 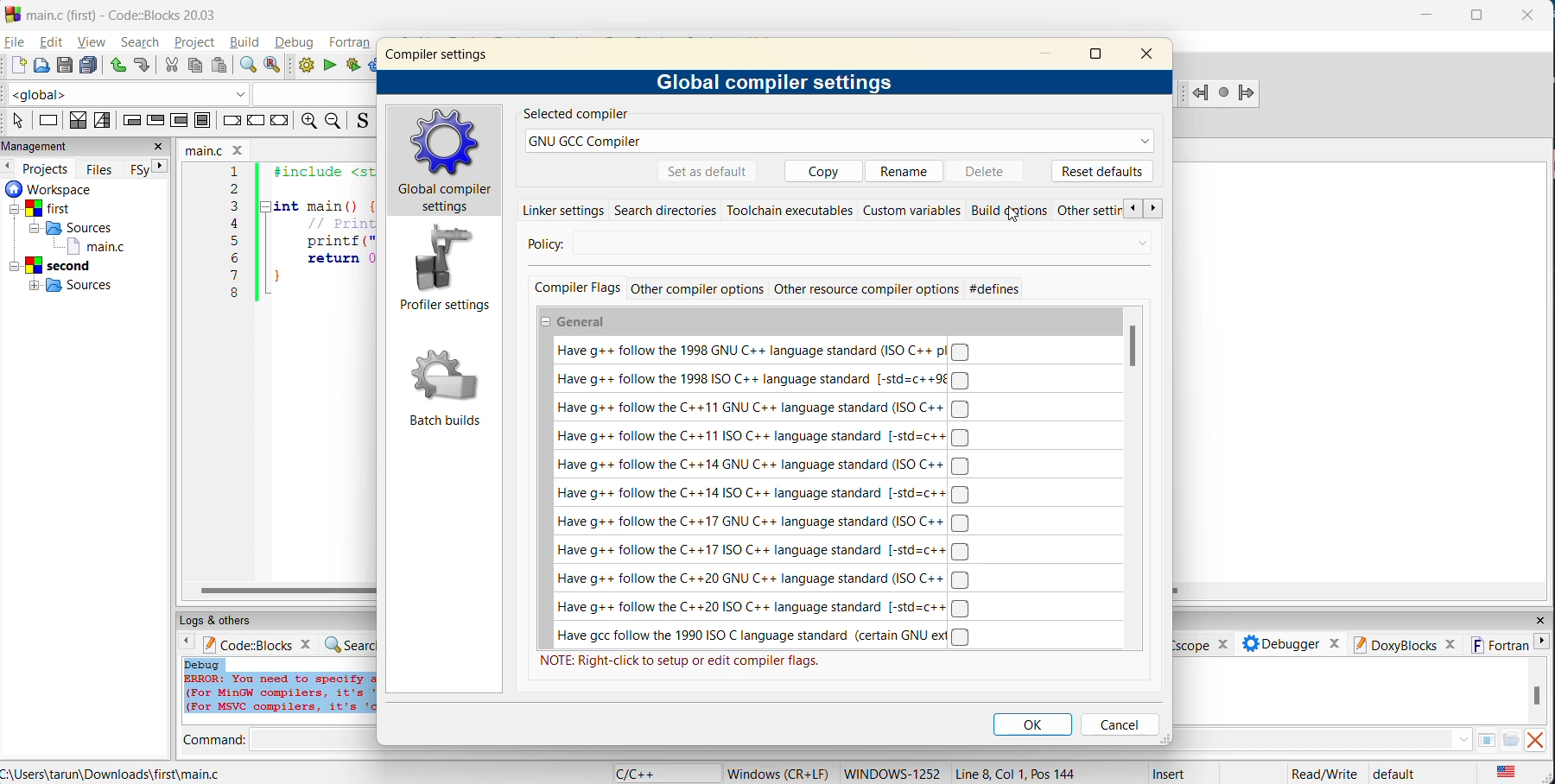 What do you see at coordinates (1010, 212) in the screenshot?
I see `Build options` at bounding box center [1010, 212].